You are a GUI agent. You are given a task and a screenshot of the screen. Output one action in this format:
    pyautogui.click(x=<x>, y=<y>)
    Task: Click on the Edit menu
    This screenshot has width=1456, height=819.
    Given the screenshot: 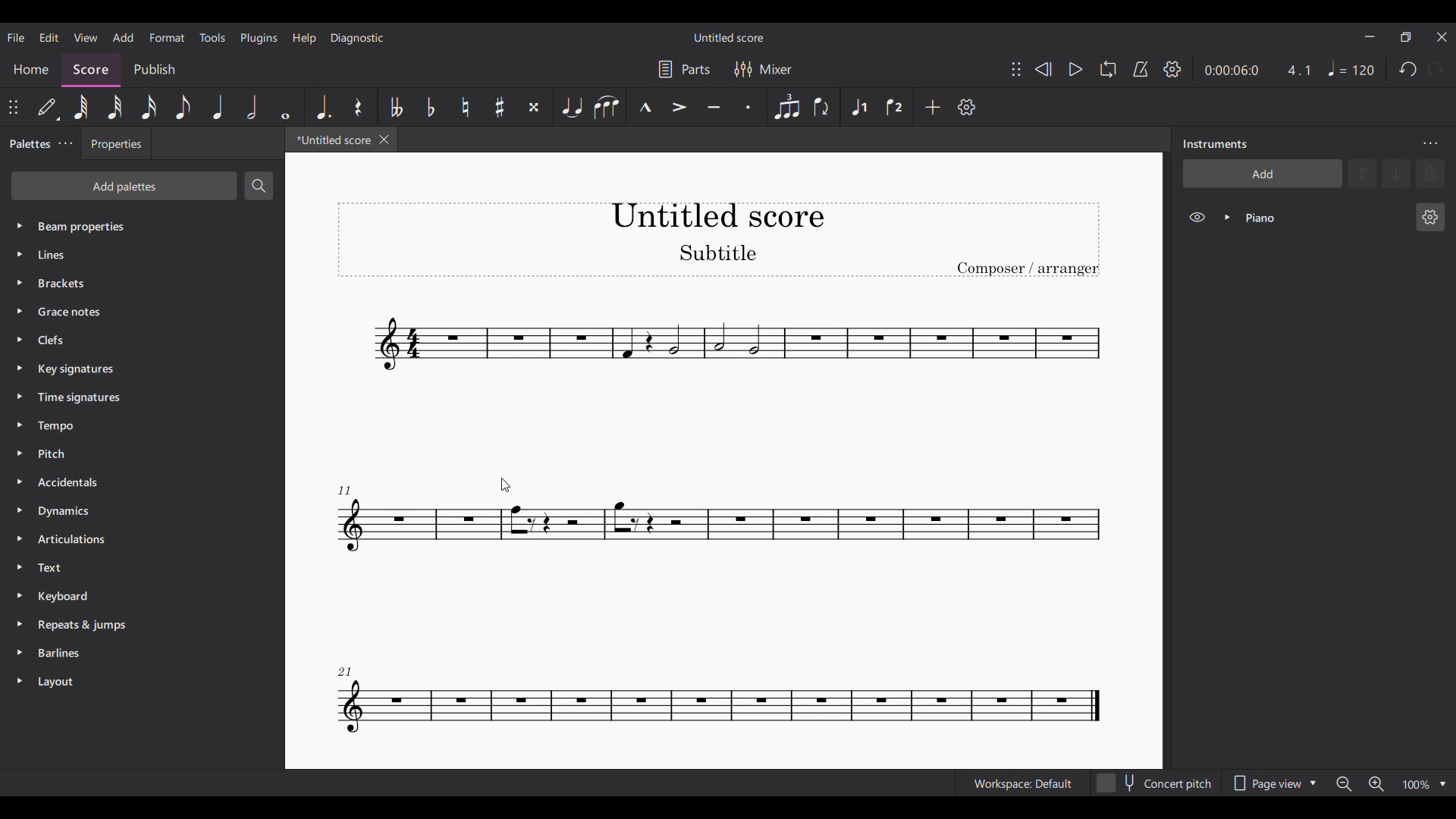 What is the action you would take?
    pyautogui.click(x=49, y=37)
    